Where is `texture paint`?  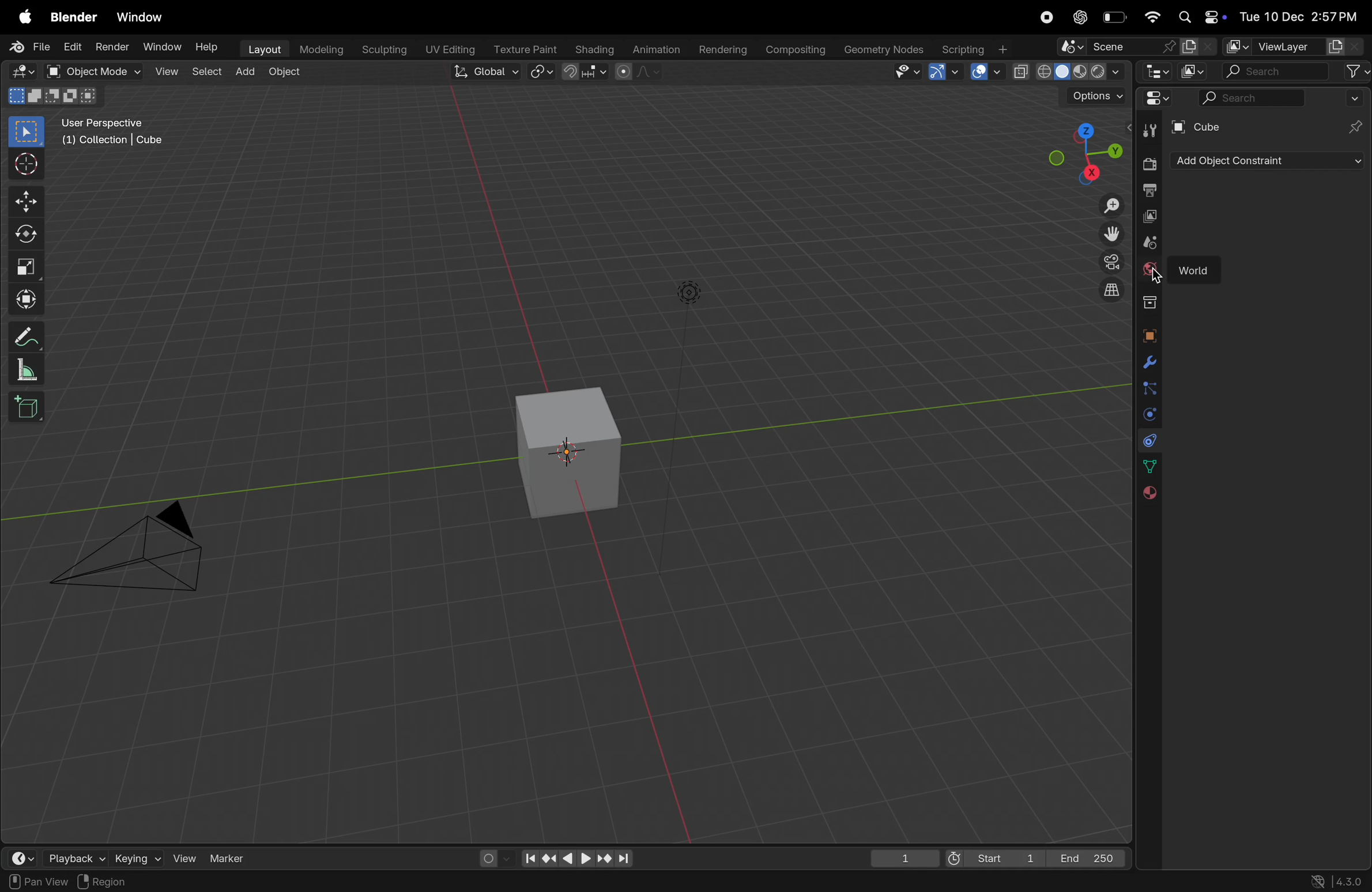
texture paint is located at coordinates (522, 50).